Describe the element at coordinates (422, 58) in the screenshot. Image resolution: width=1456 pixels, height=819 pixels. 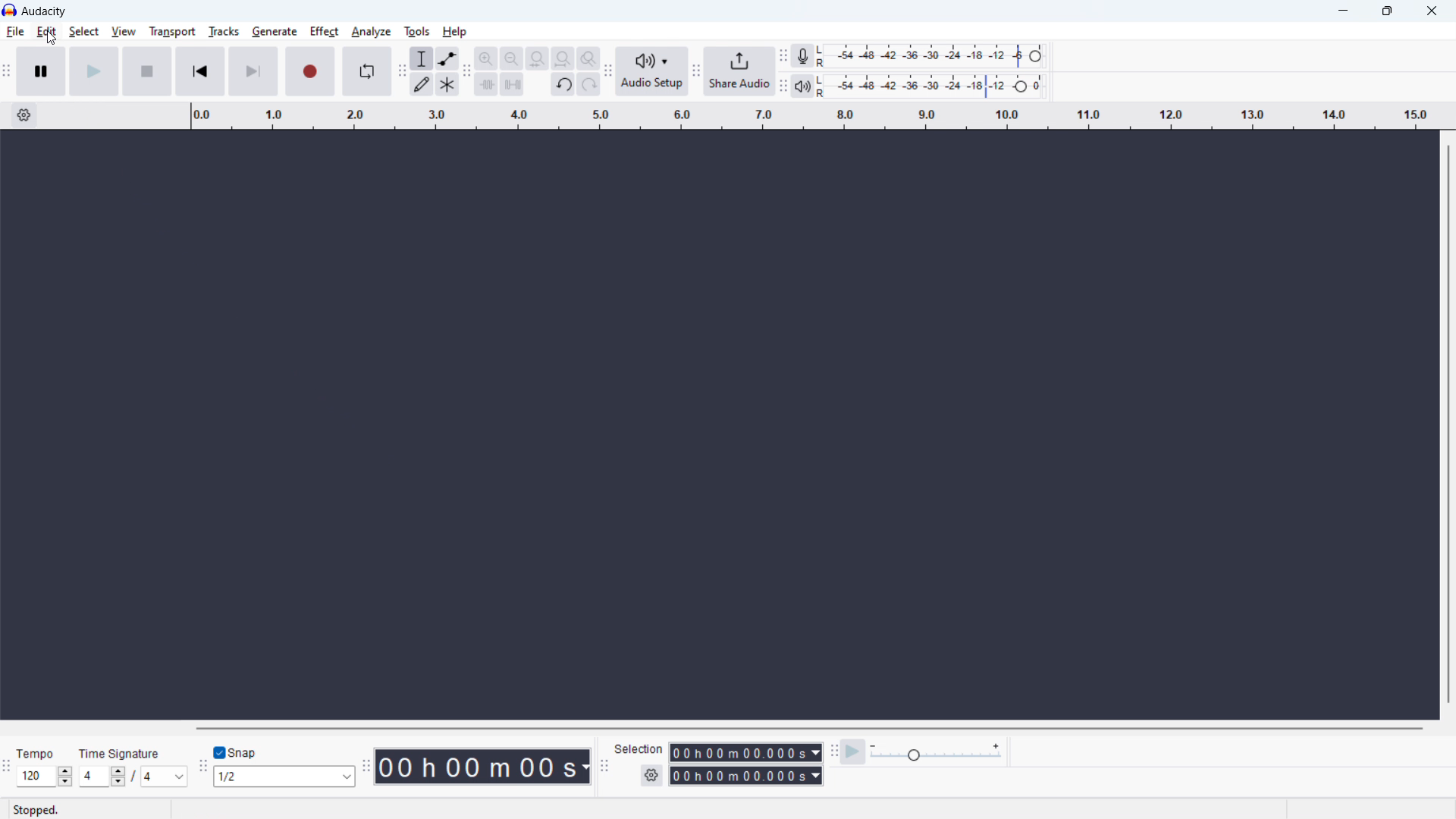
I see `selection tool` at that location.